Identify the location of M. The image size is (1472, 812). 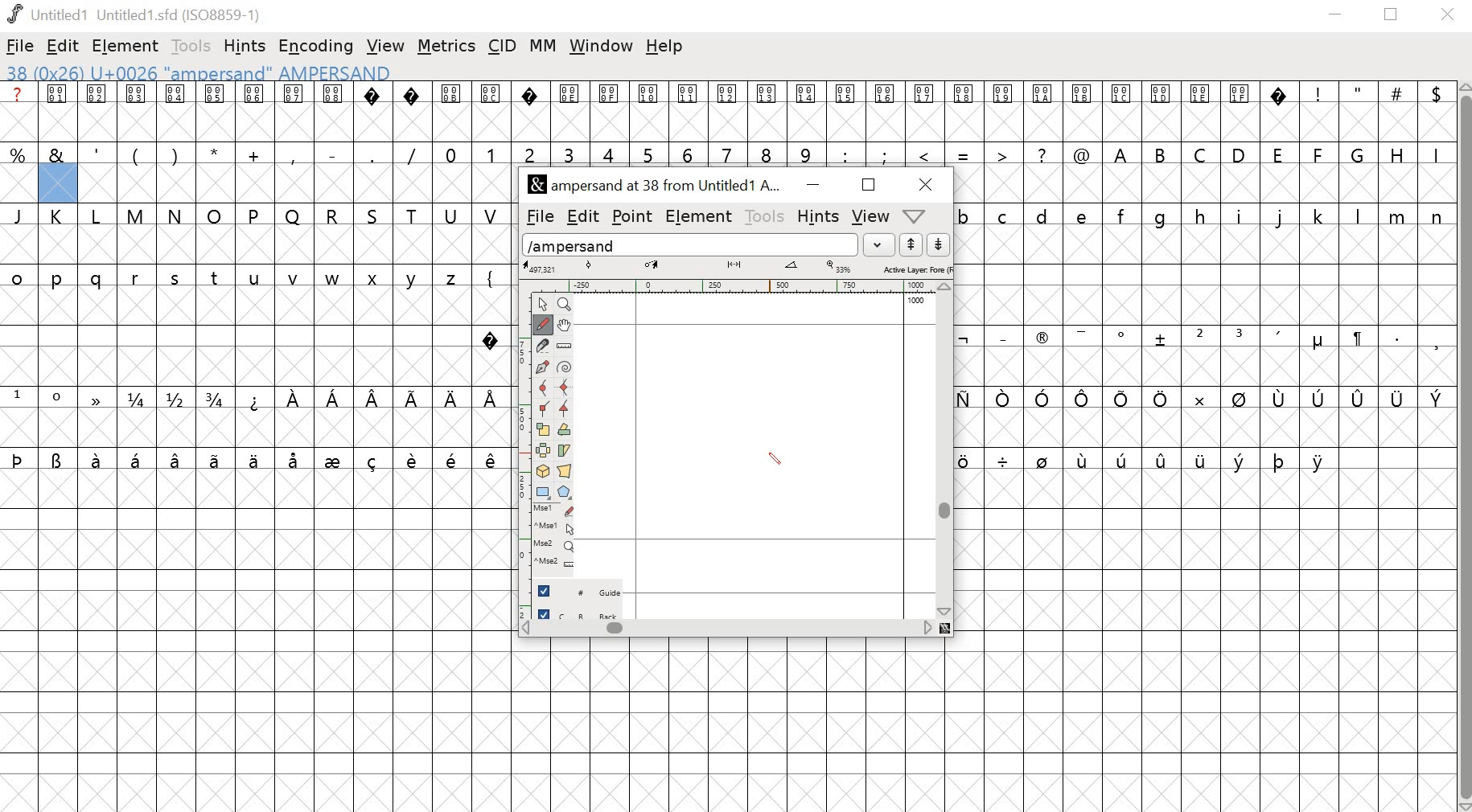
(137, 215).